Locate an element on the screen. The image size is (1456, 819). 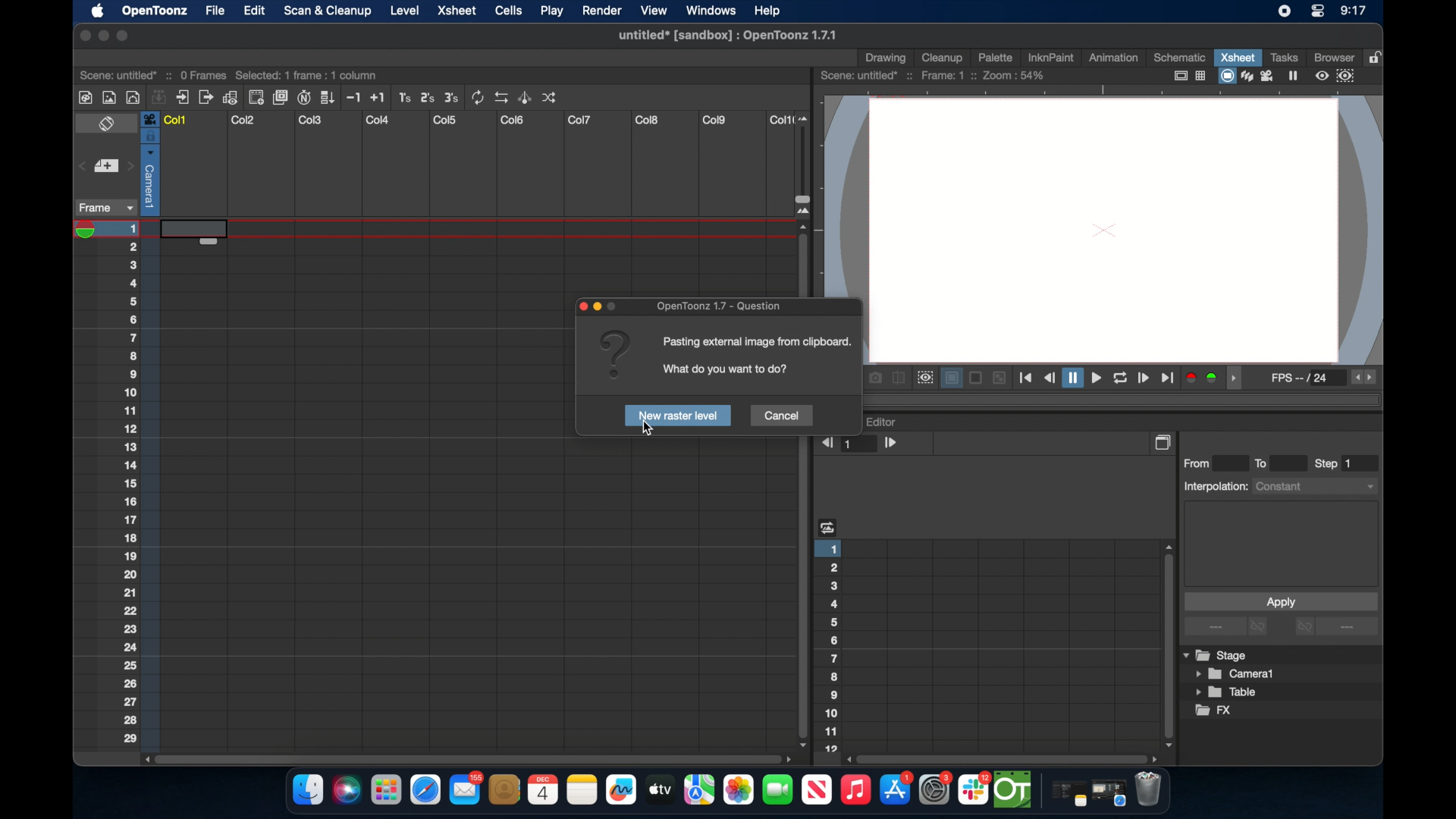
fx is located at coordinates (1214, 711).